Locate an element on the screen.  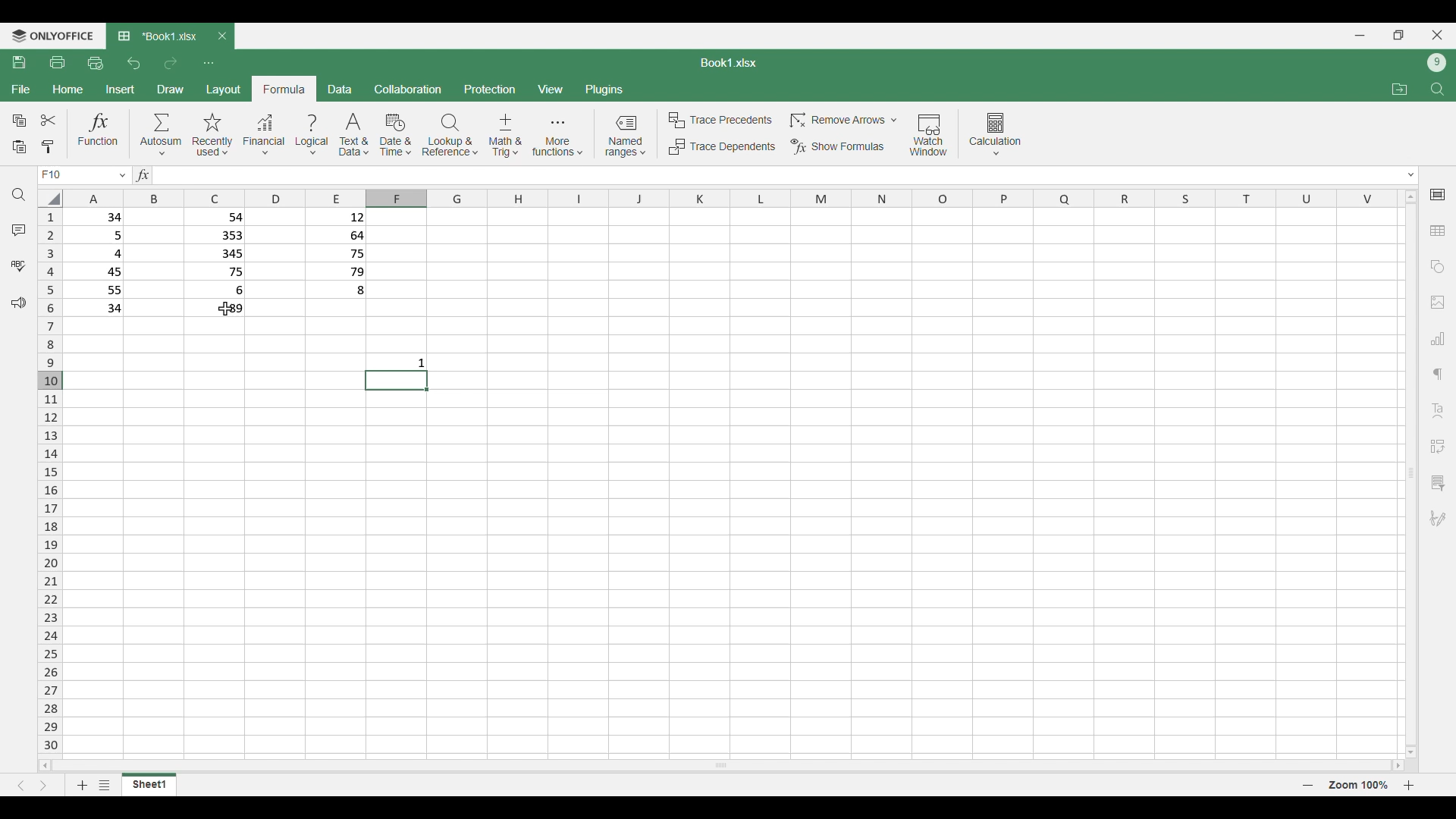
List of sheets is located at coordinates (105, 785).